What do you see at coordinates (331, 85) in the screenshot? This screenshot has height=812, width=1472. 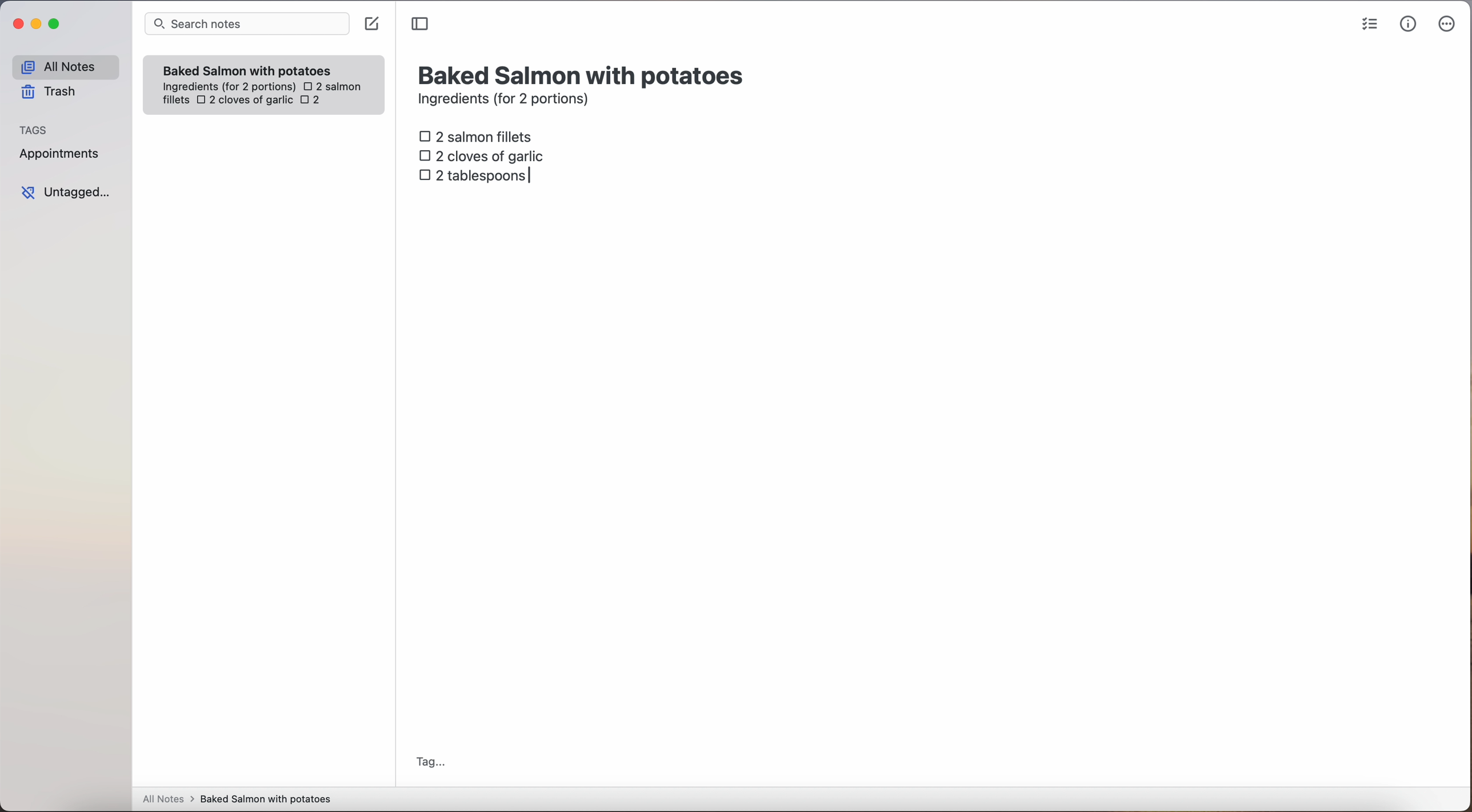 I see `2 salmon` at bounding box center [331, 85].